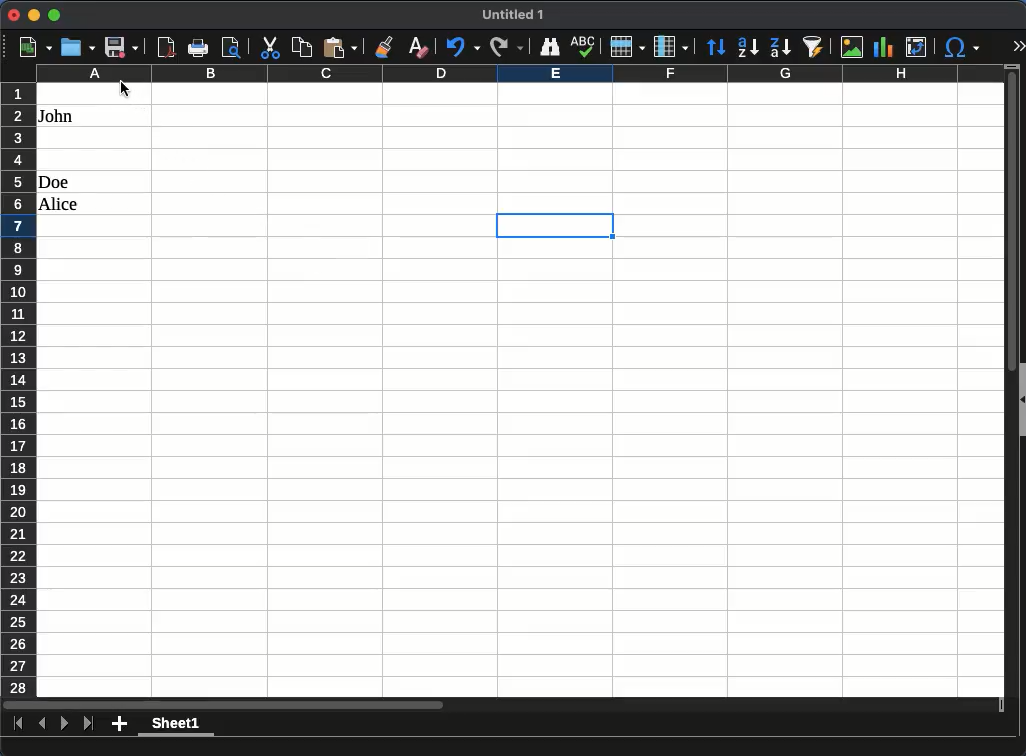 This screenshot has width=1026, height=756. I want to click on last sheet, so click(90, 724).